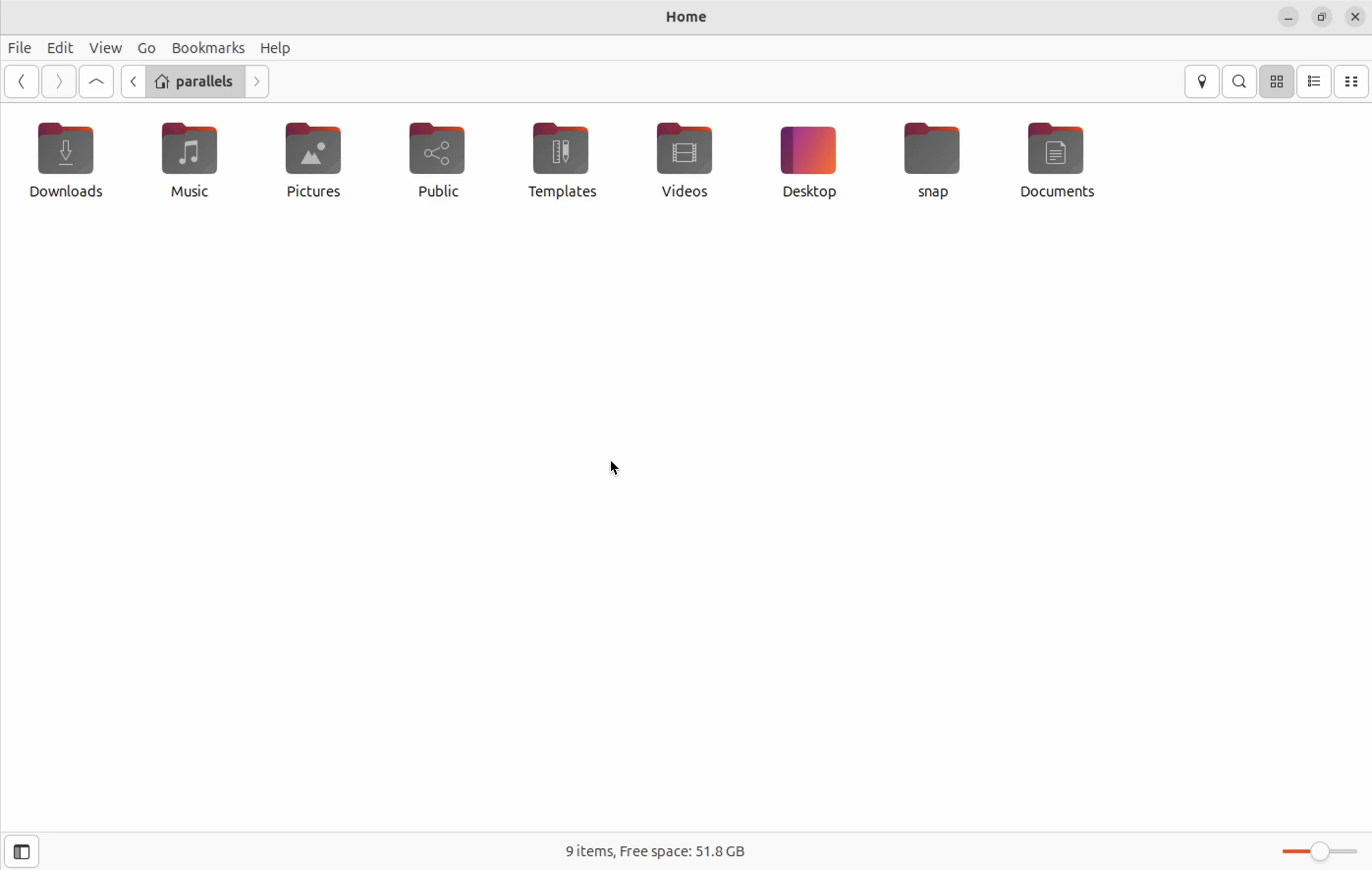 The image size is (1372, 870). I want to click on close, so click(1355, 18).